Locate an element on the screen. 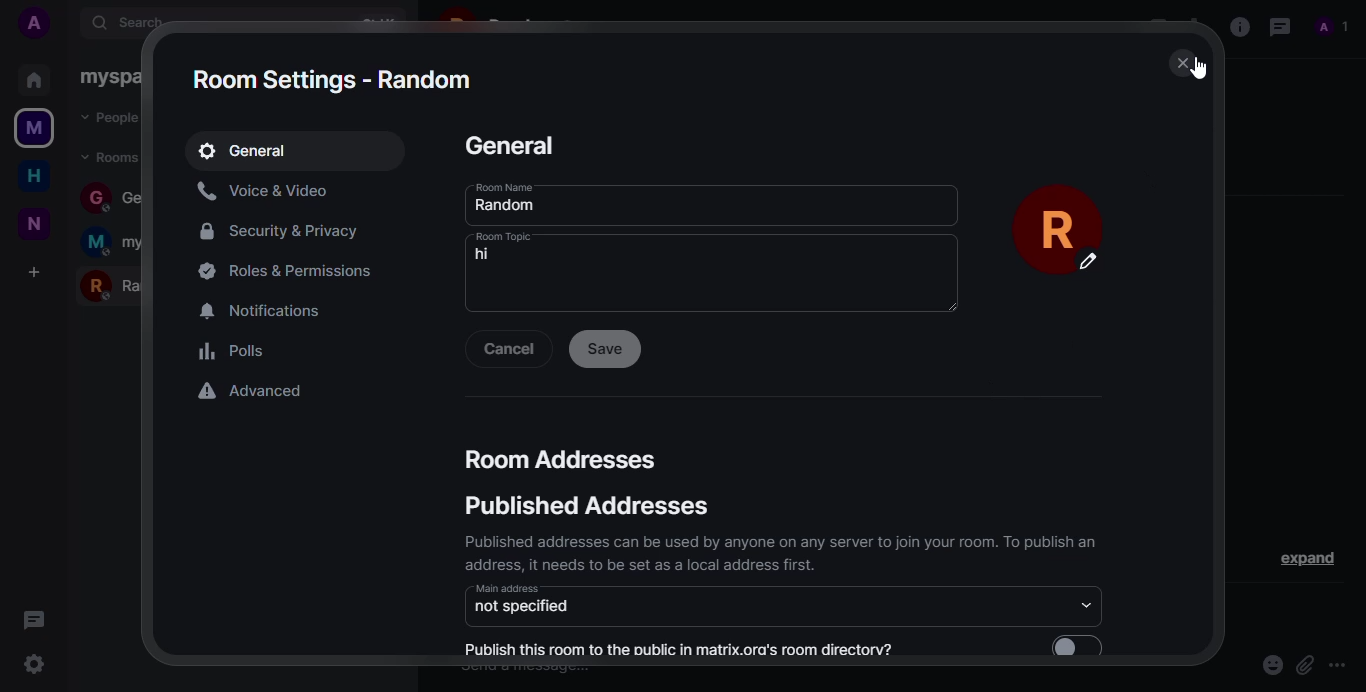 This screenshot has width=1366, height=692. settings is located at coordinates (34, 663).